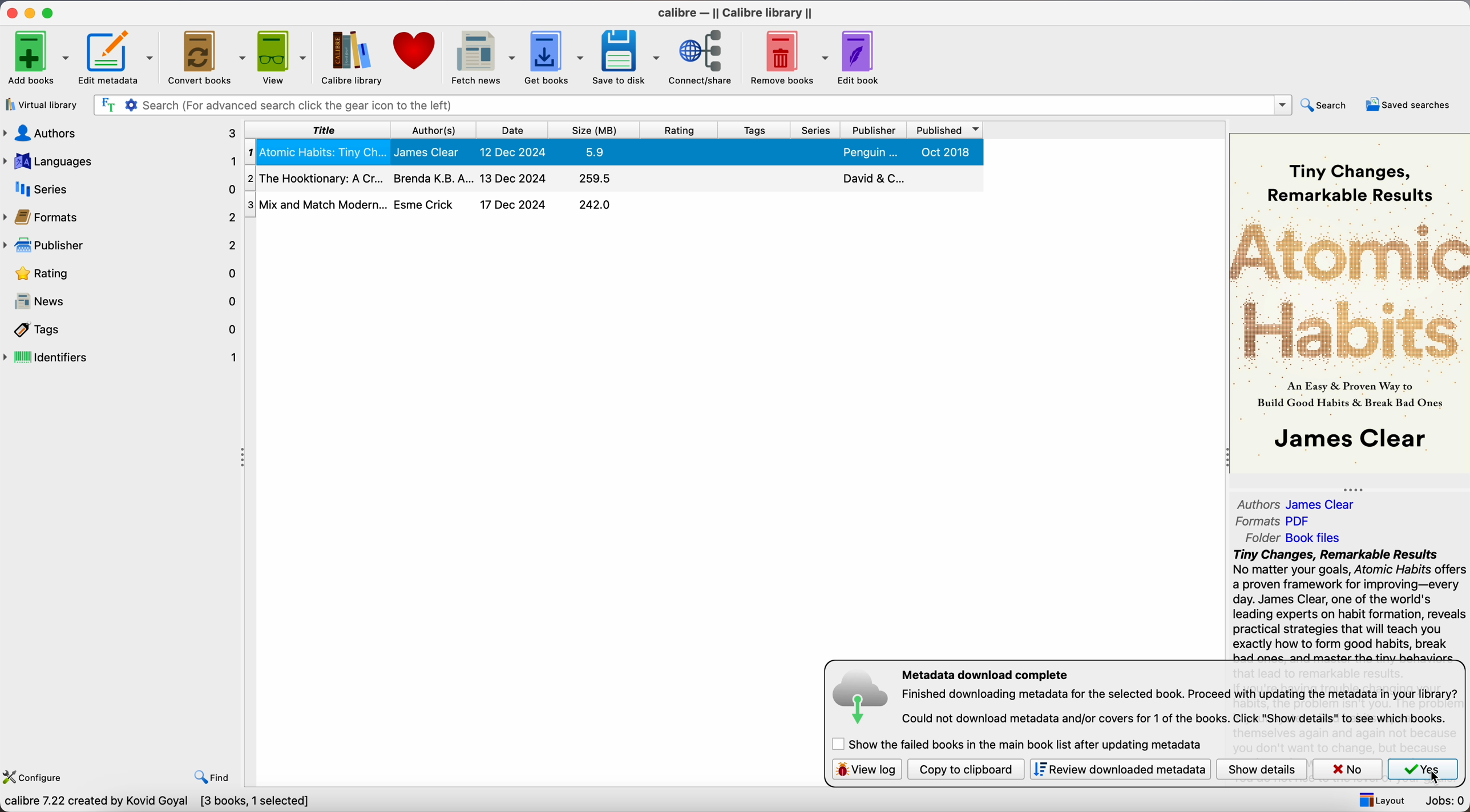  I want to click on book cover preview, so click(1351, 304).